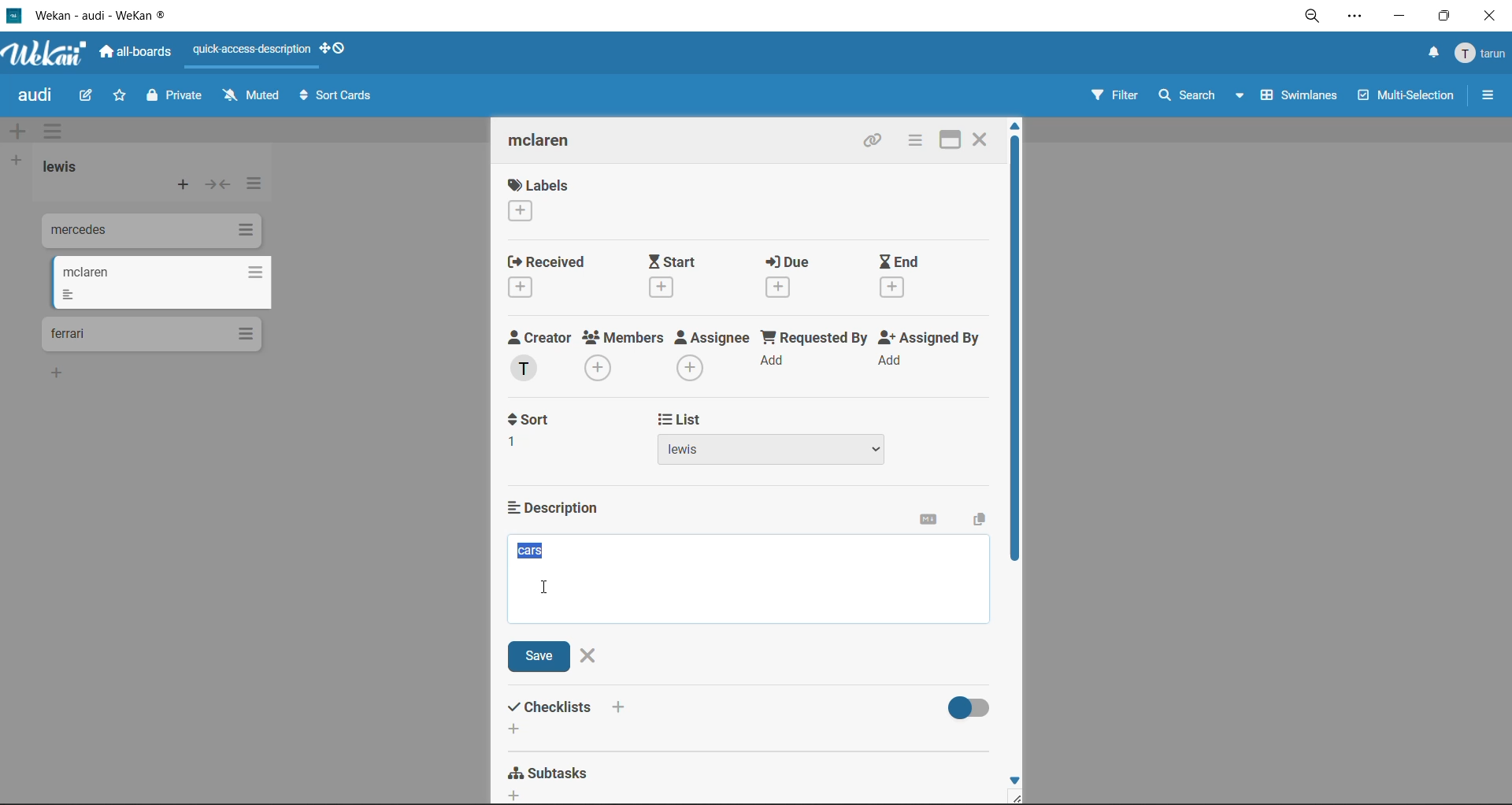  What do you see at coordinates (876, 142) in the screenshot?
I see `copy link` at bounding box center [876, 142].